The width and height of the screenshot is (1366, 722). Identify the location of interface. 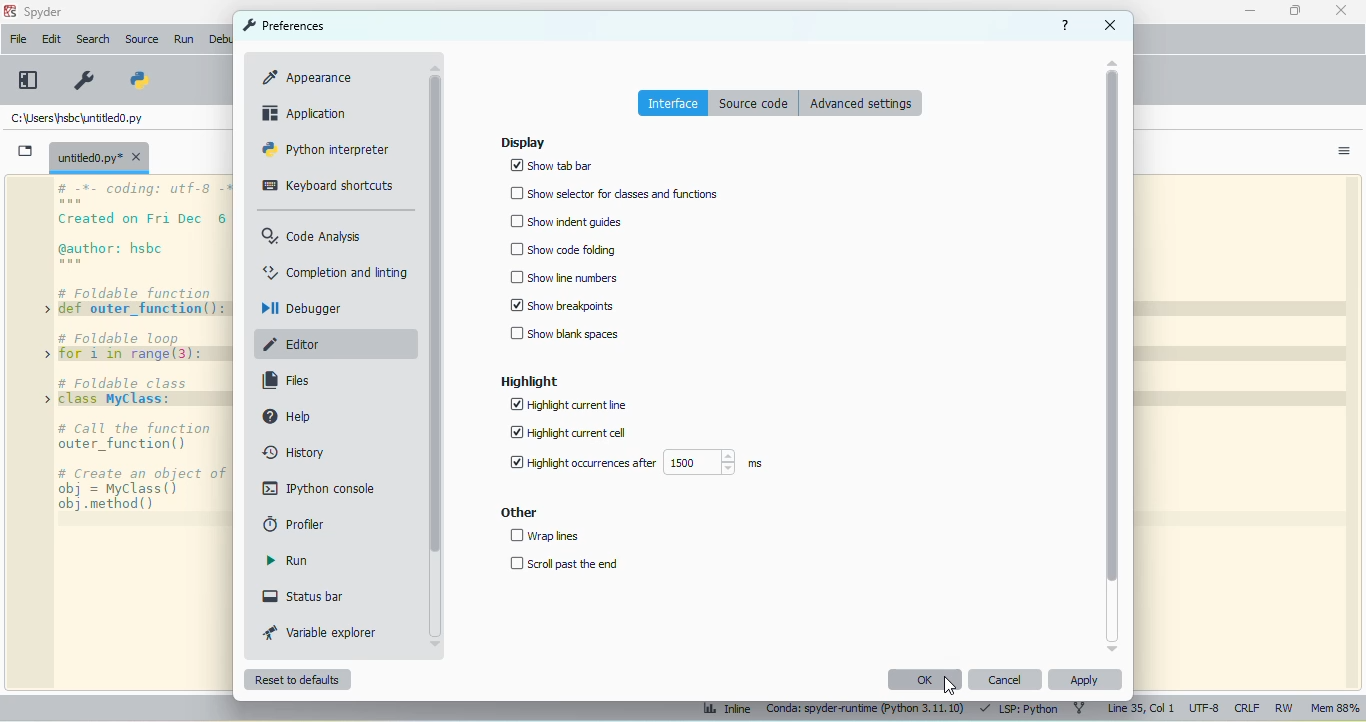
(674, 103).